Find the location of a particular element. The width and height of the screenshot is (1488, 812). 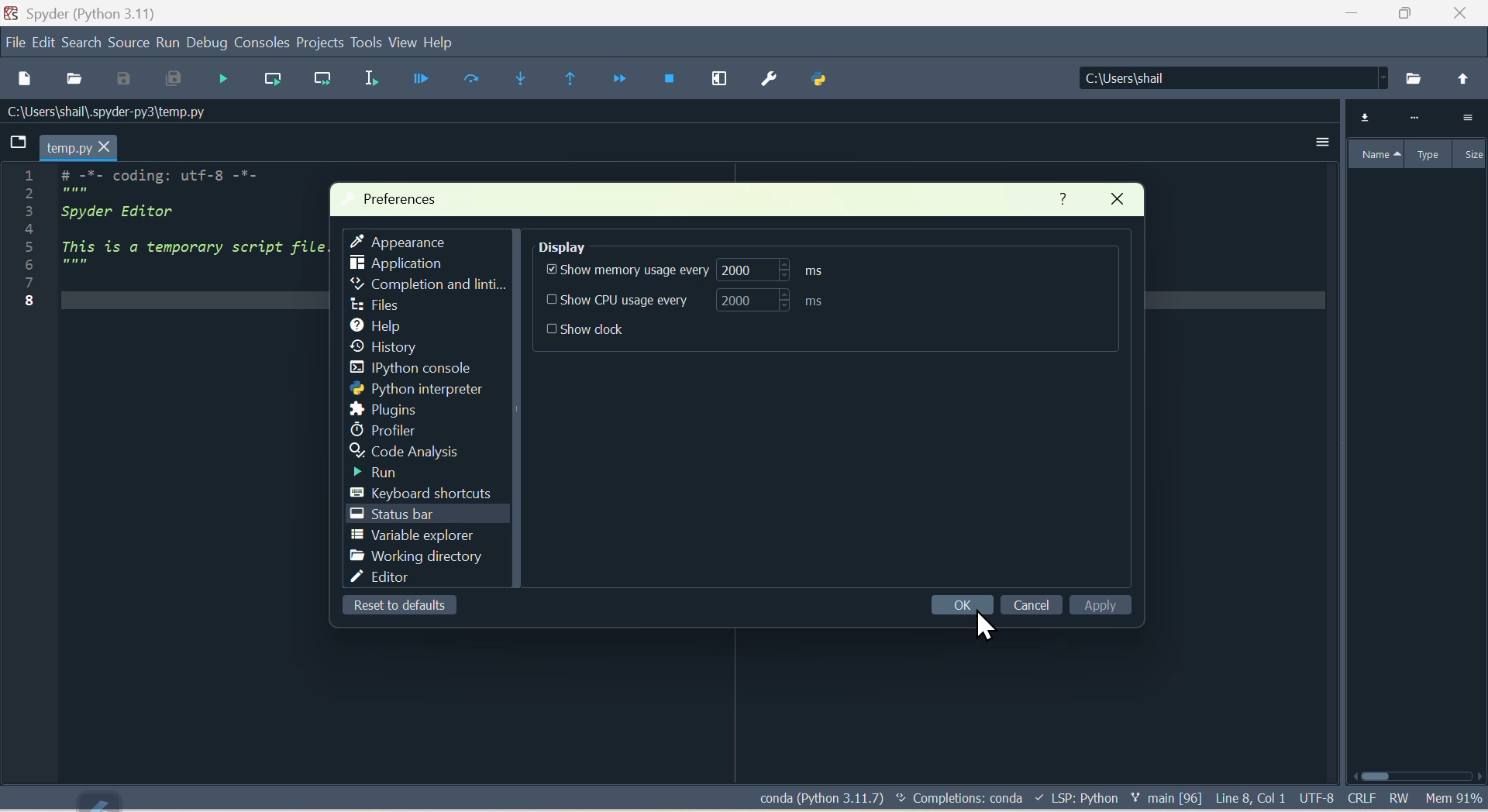

Show memory usage is located at coordinates (679, 270).